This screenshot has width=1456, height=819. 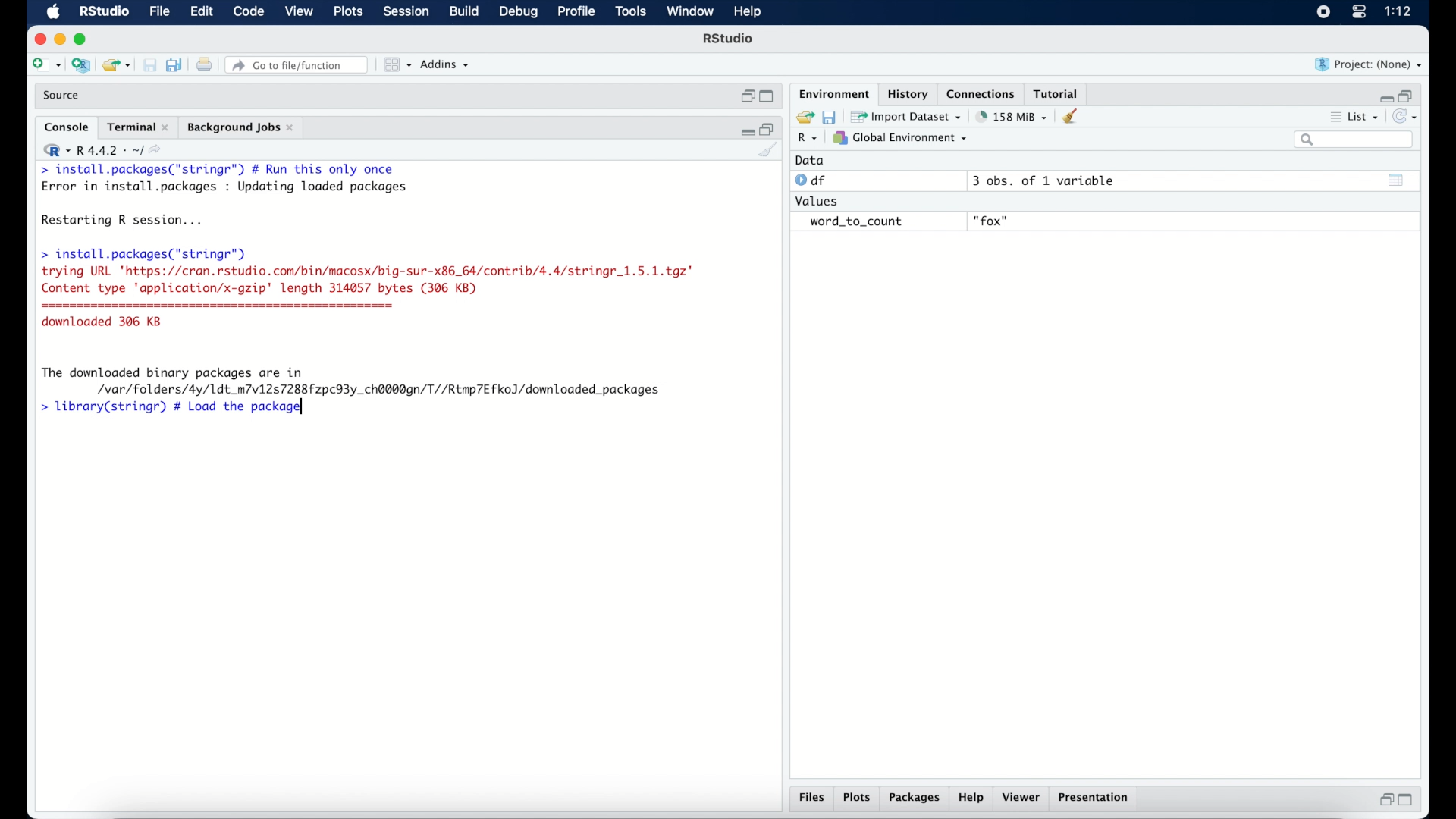 I want to click on profile, so click(x=575, y=12).